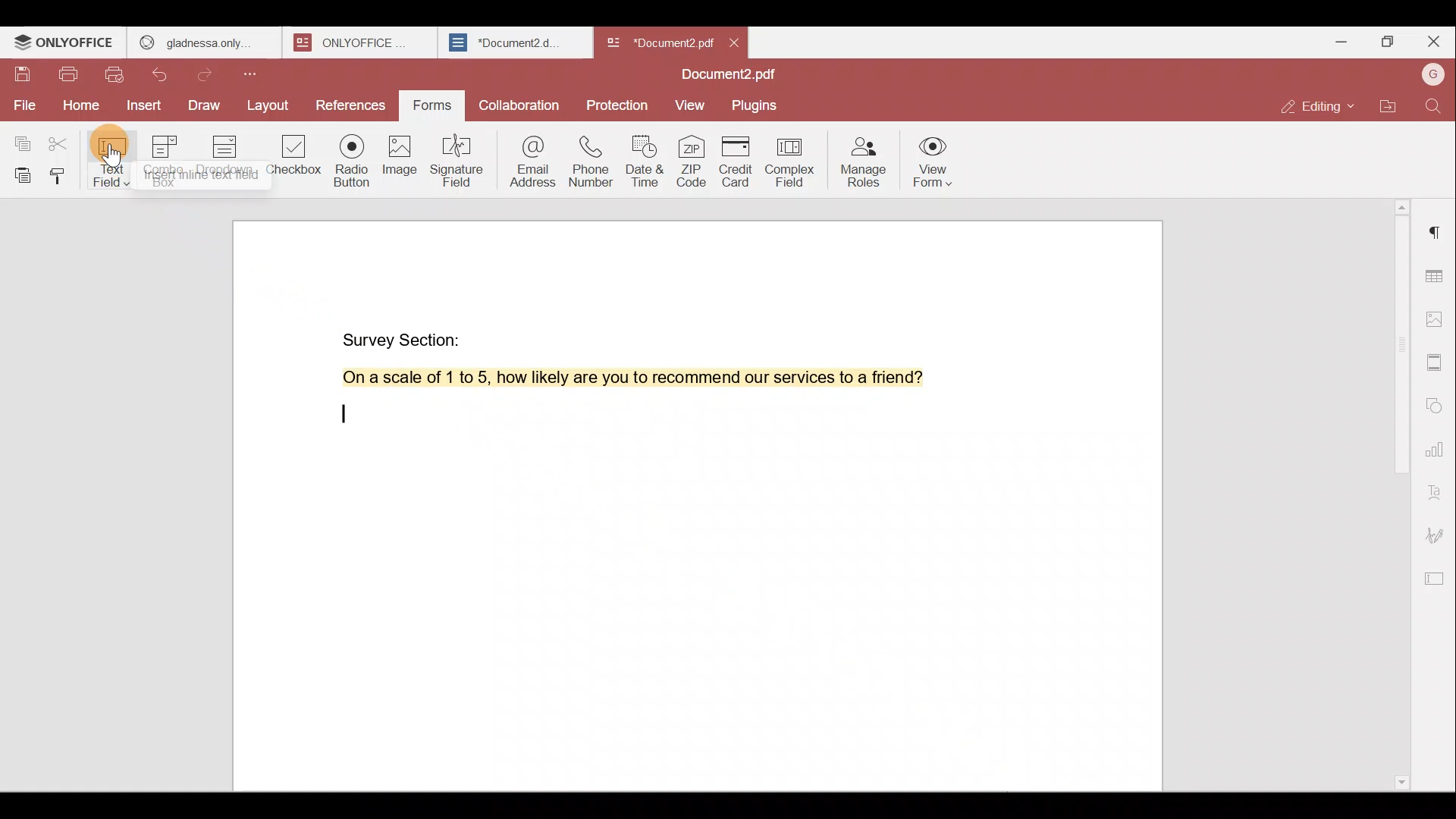 Image resolution: width=1456 pixels, height=819 pixels. I want to click on Phone number, so click(588, 156).